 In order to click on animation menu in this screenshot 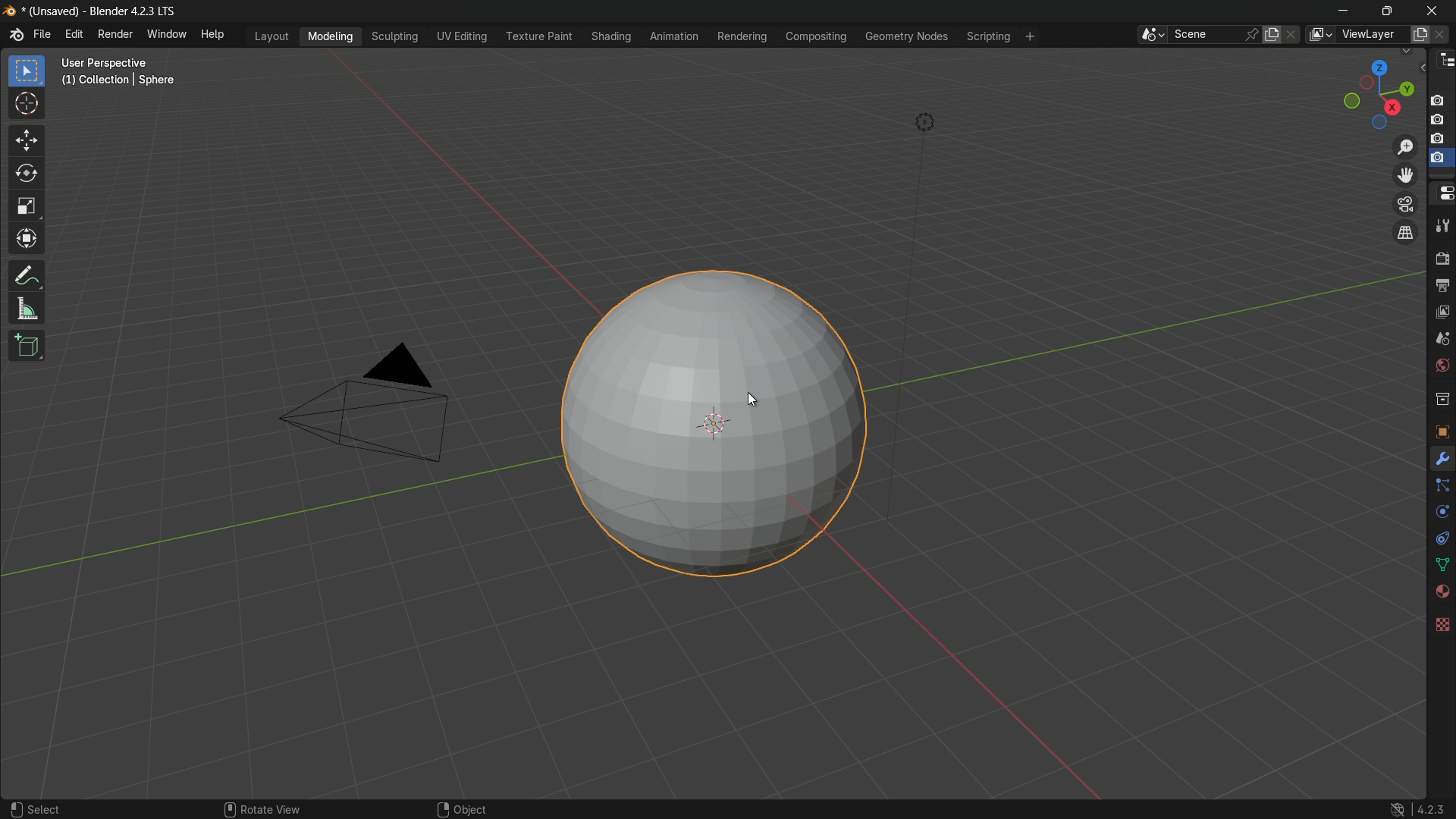, I will do `click(672, 36)`.